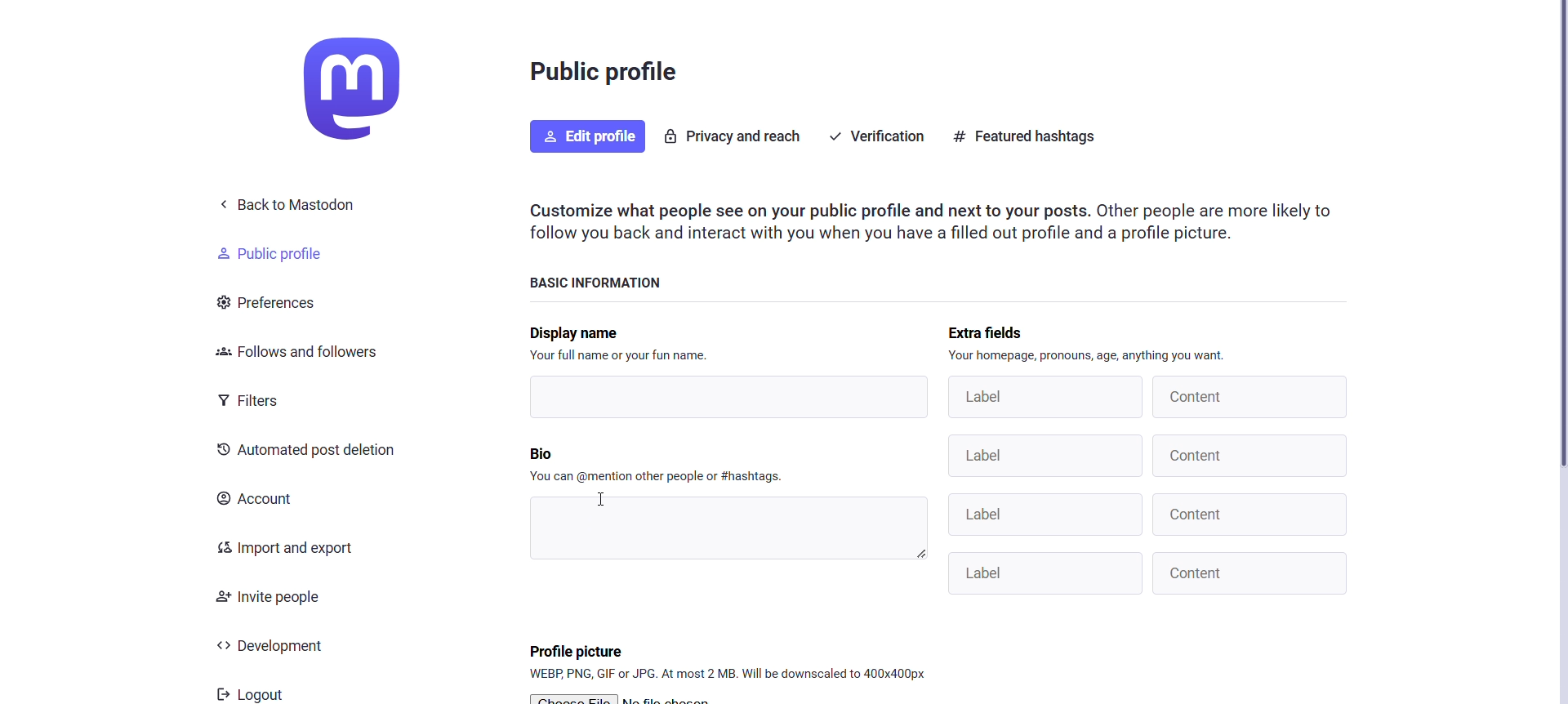 The image size is (1568, 704). What do you see at coordinates (1048, 573) in the screenshot?
I see `` at bounding box center [1048, 573].